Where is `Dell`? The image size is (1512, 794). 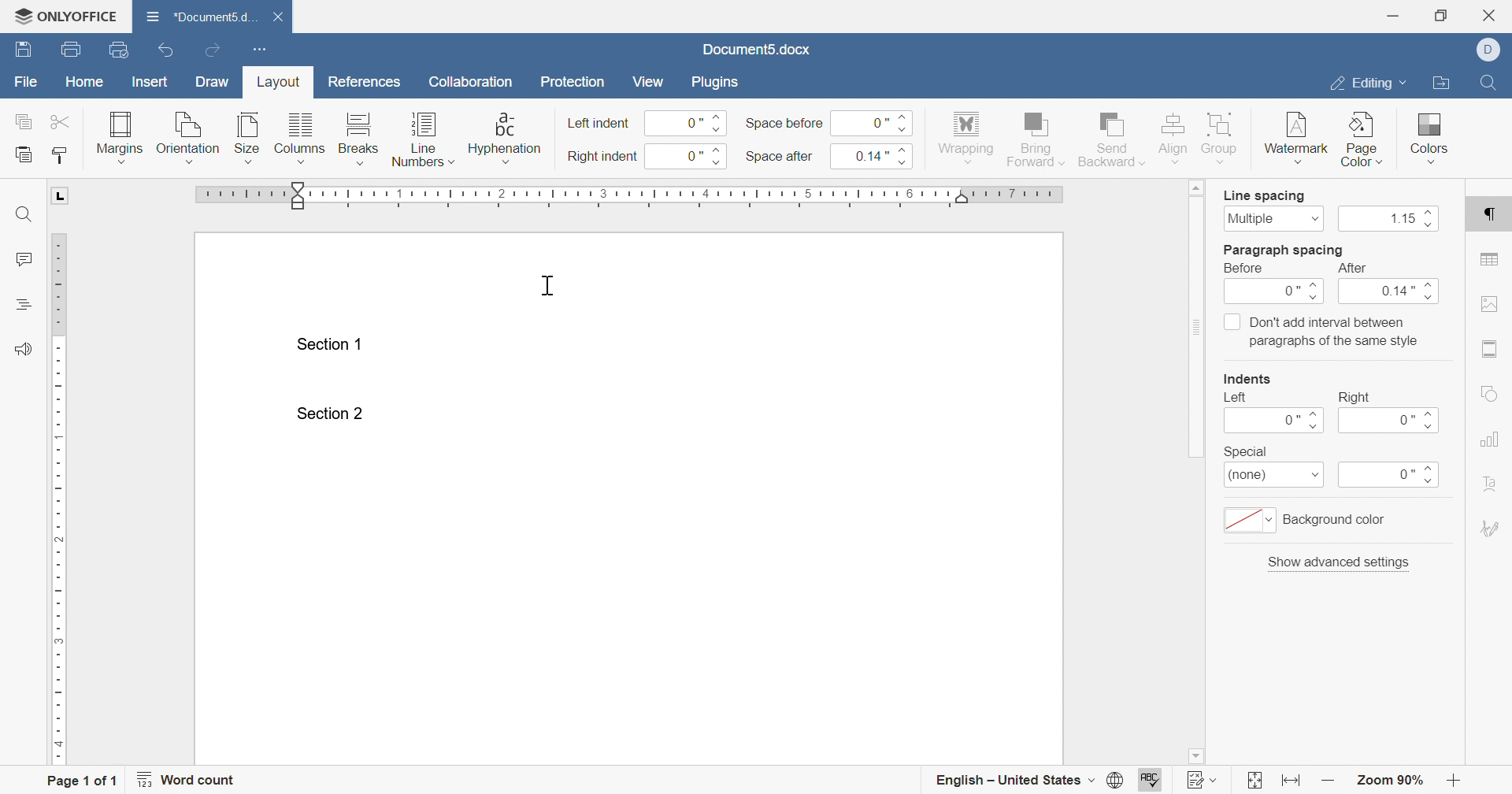
Dell is located at coordinates (1491, 48).